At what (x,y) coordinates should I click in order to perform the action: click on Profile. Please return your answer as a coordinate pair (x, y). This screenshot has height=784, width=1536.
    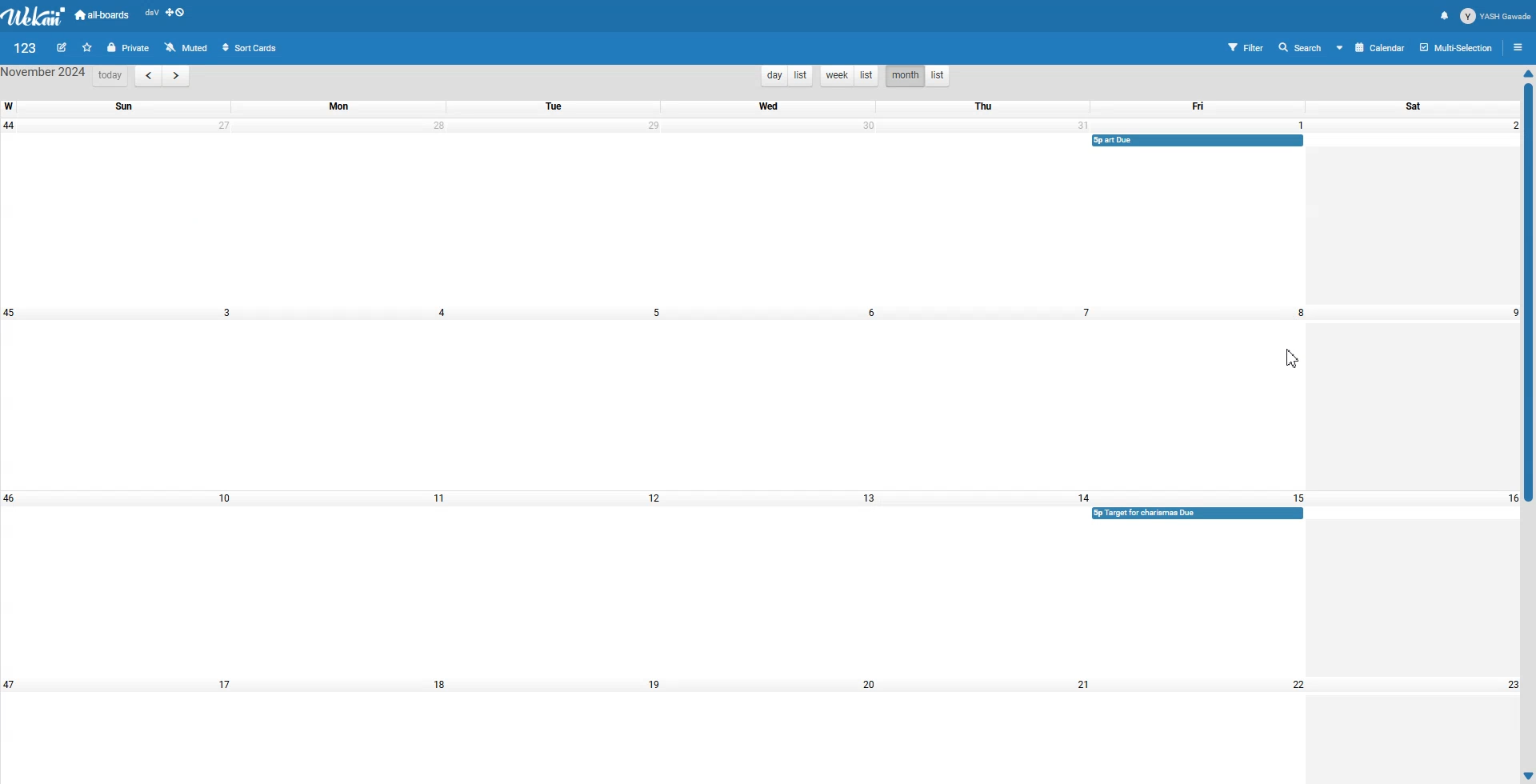
    Looking at the image, I should click on (1496, 16).